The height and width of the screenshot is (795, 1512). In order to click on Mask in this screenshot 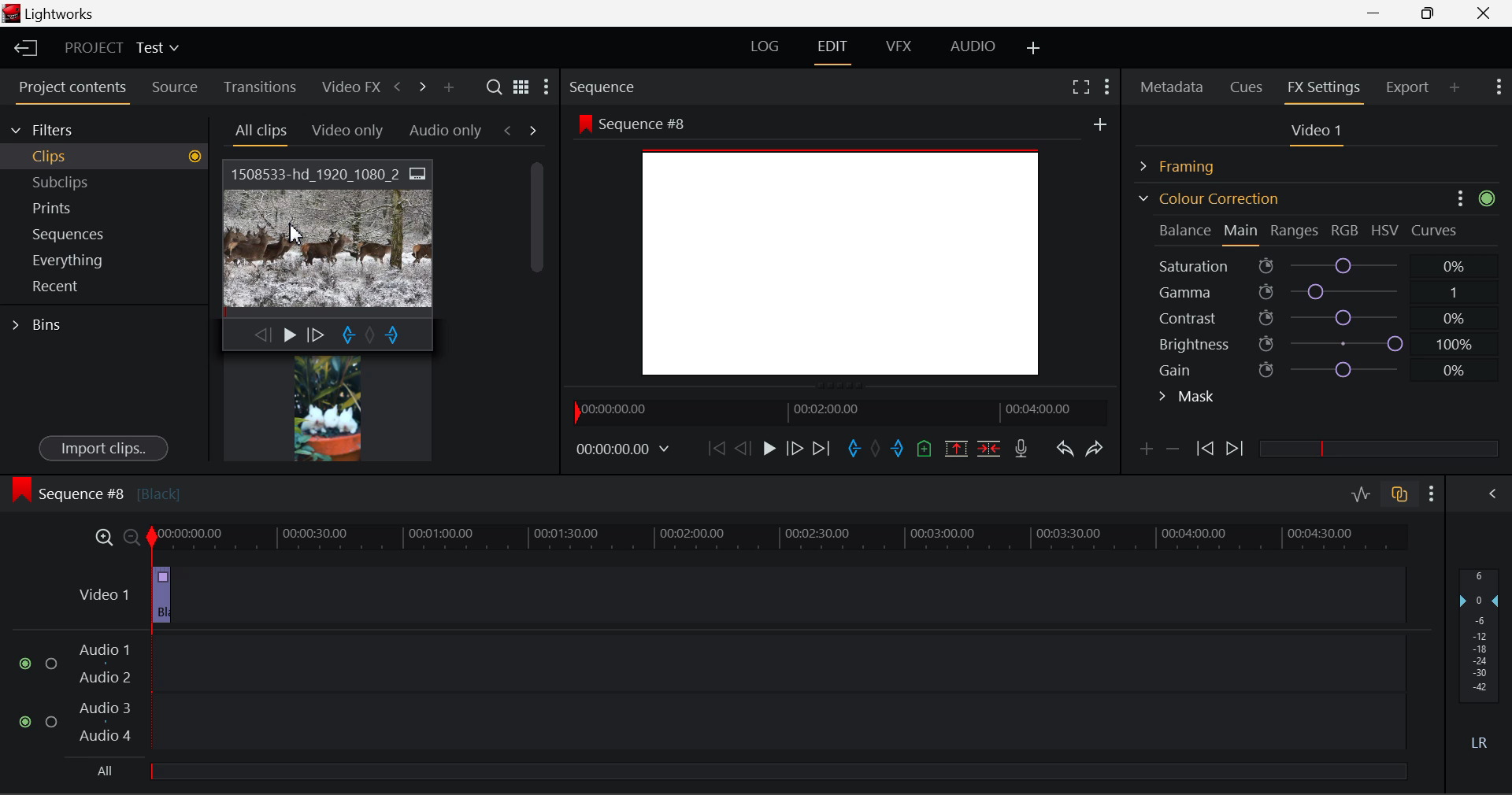, I will do `click(1188, 398)`.